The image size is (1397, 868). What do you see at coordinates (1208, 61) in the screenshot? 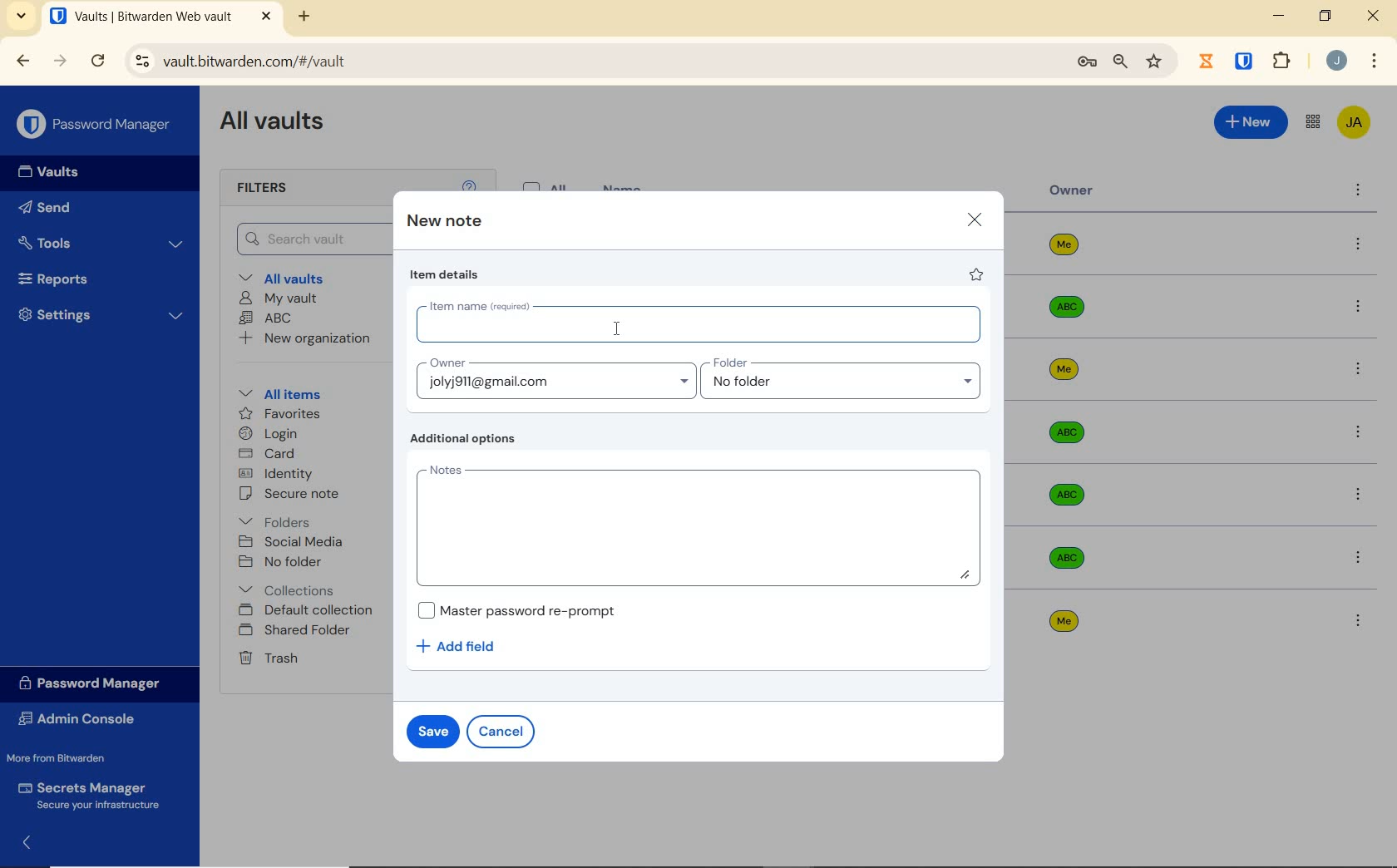
I see `Jibril Extension` at bounding box center [1208, 61].